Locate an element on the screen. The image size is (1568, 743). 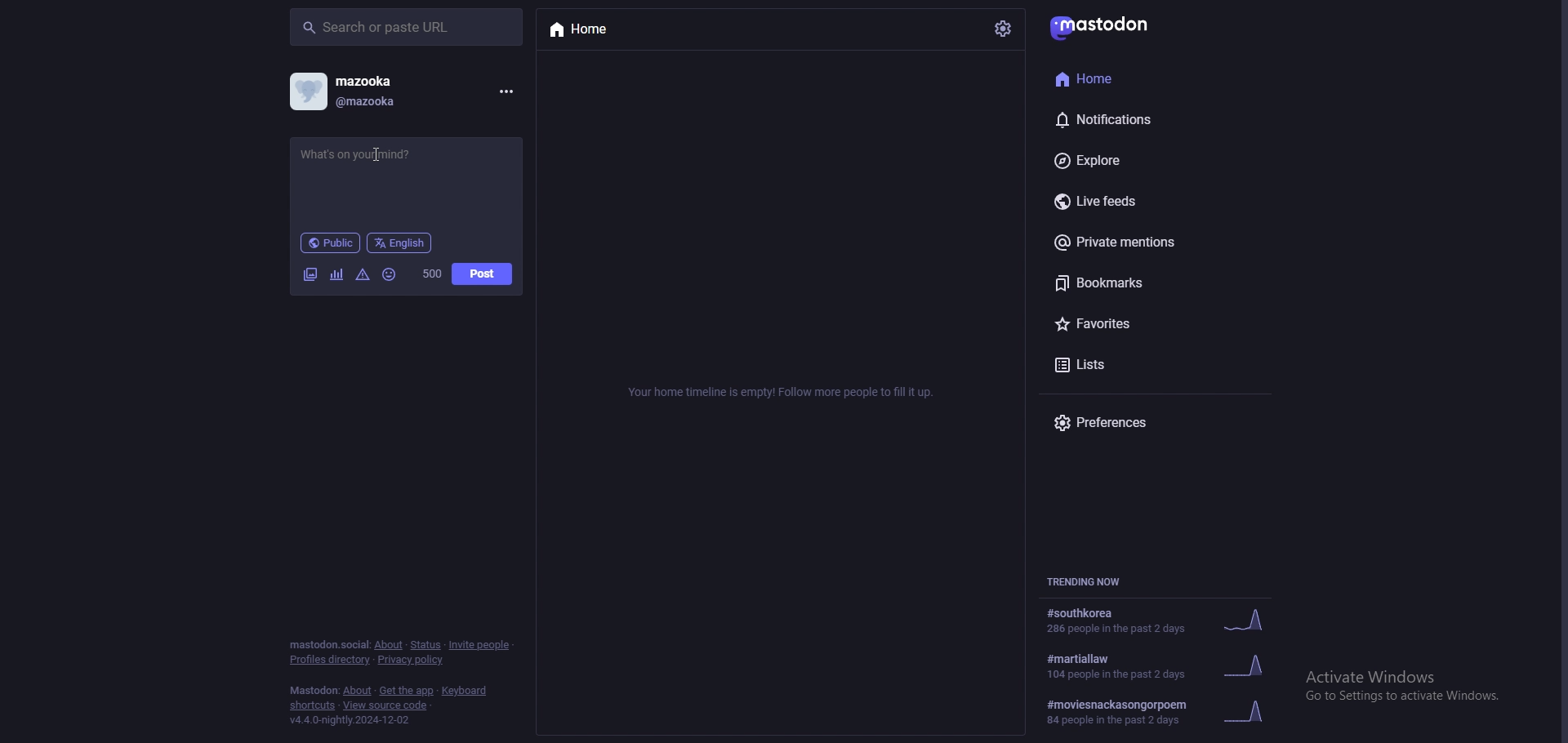
bookmarks is located at coordinates (1157, 286).